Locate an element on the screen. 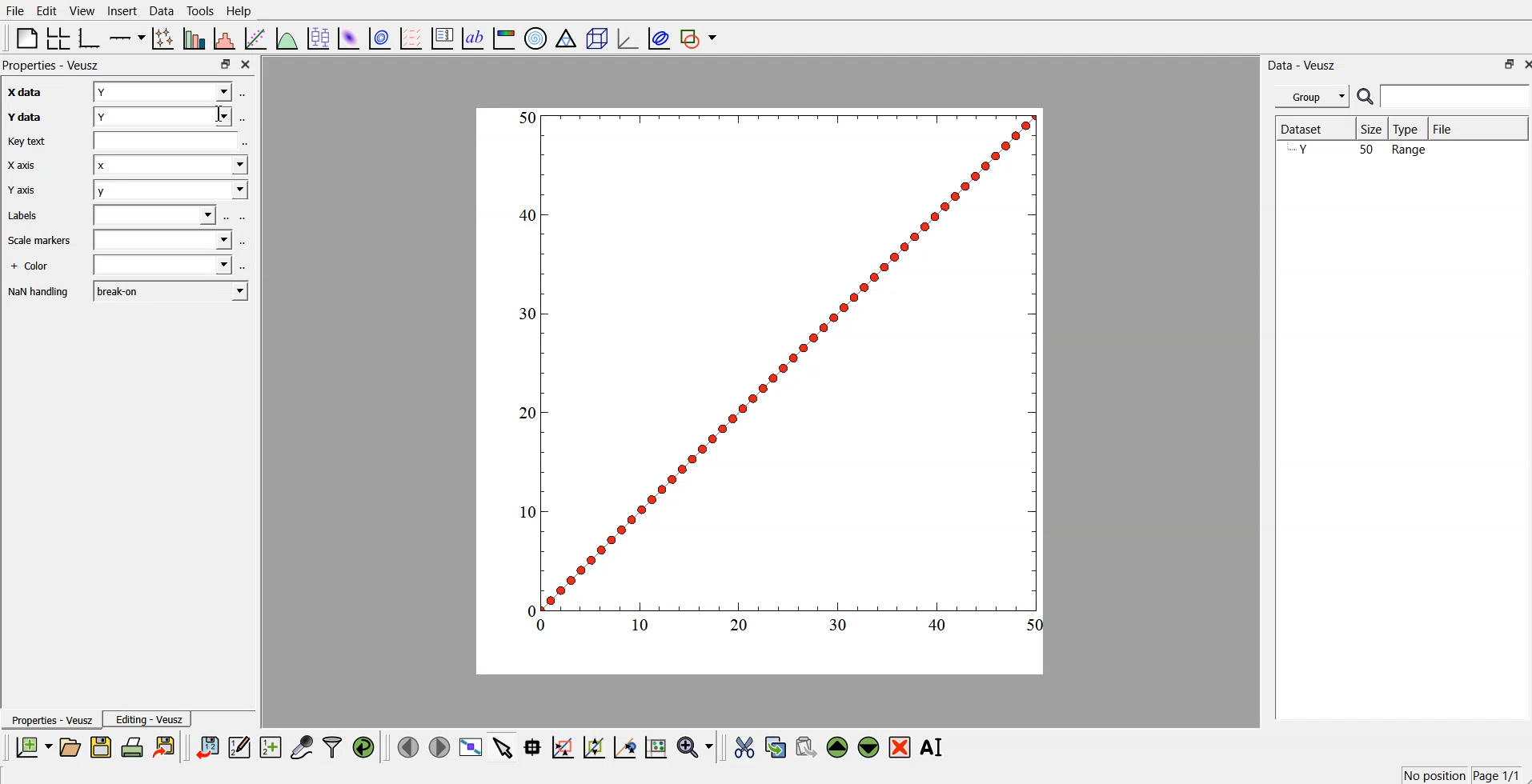  Labels field is located at coordinates (157, 216).